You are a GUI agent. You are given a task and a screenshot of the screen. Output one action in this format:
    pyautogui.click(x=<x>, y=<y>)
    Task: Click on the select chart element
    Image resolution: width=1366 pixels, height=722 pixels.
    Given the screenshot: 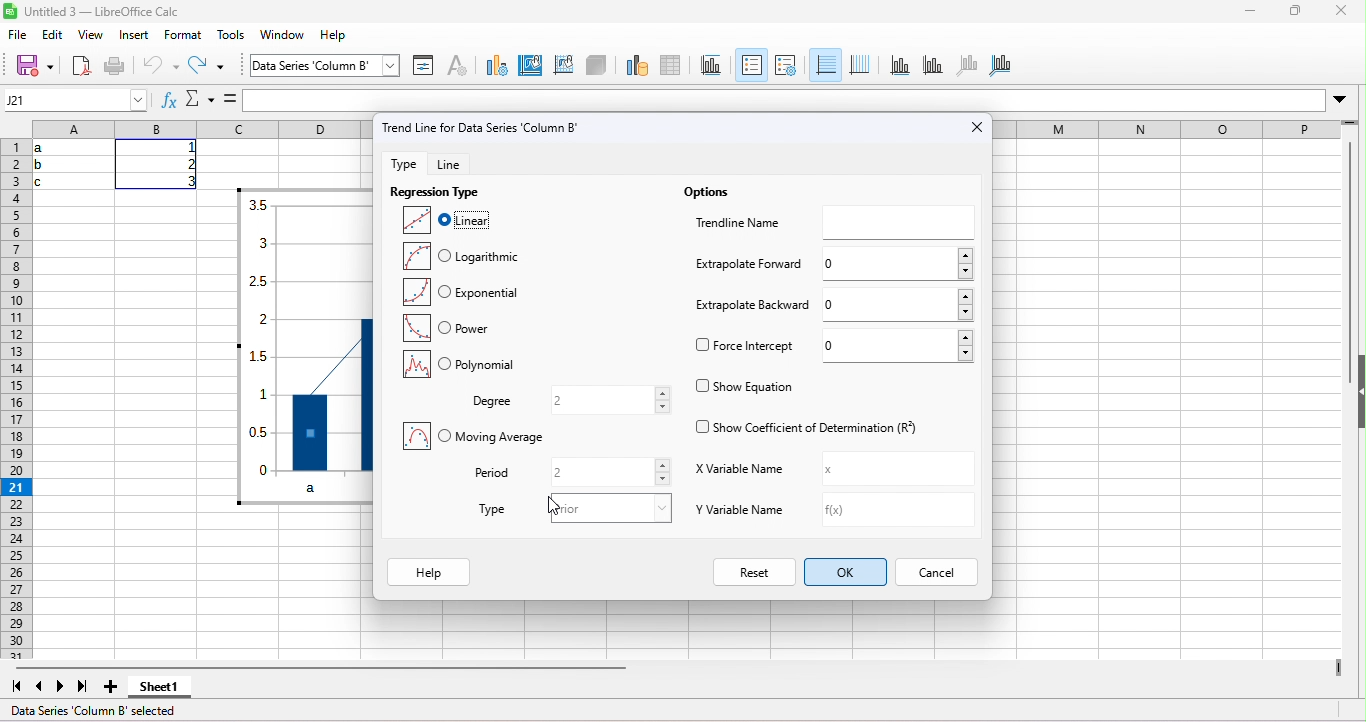 What is the action you would take?
    pyautogui.click(x=391, y=64)
    